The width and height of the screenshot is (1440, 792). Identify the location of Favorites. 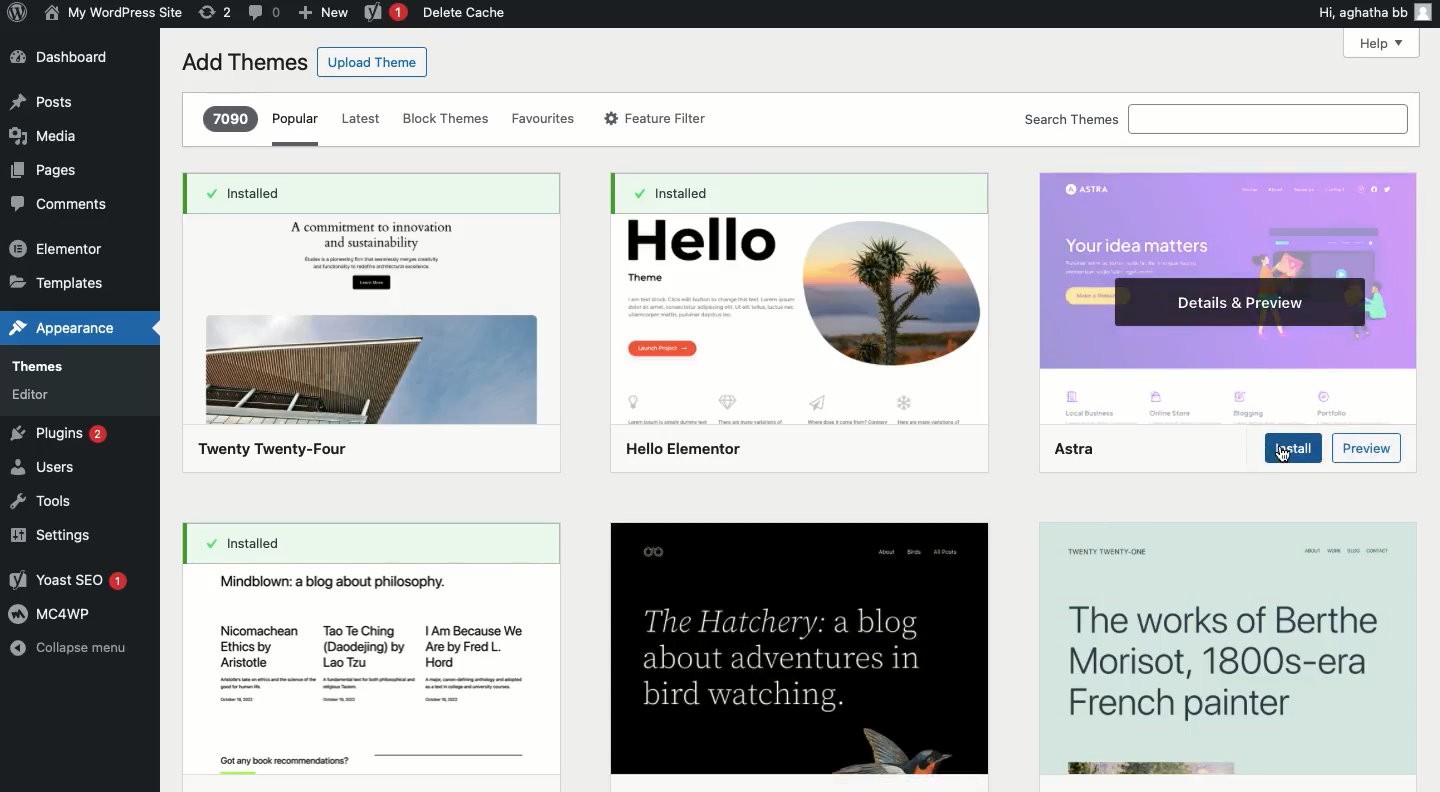
(541, 119).